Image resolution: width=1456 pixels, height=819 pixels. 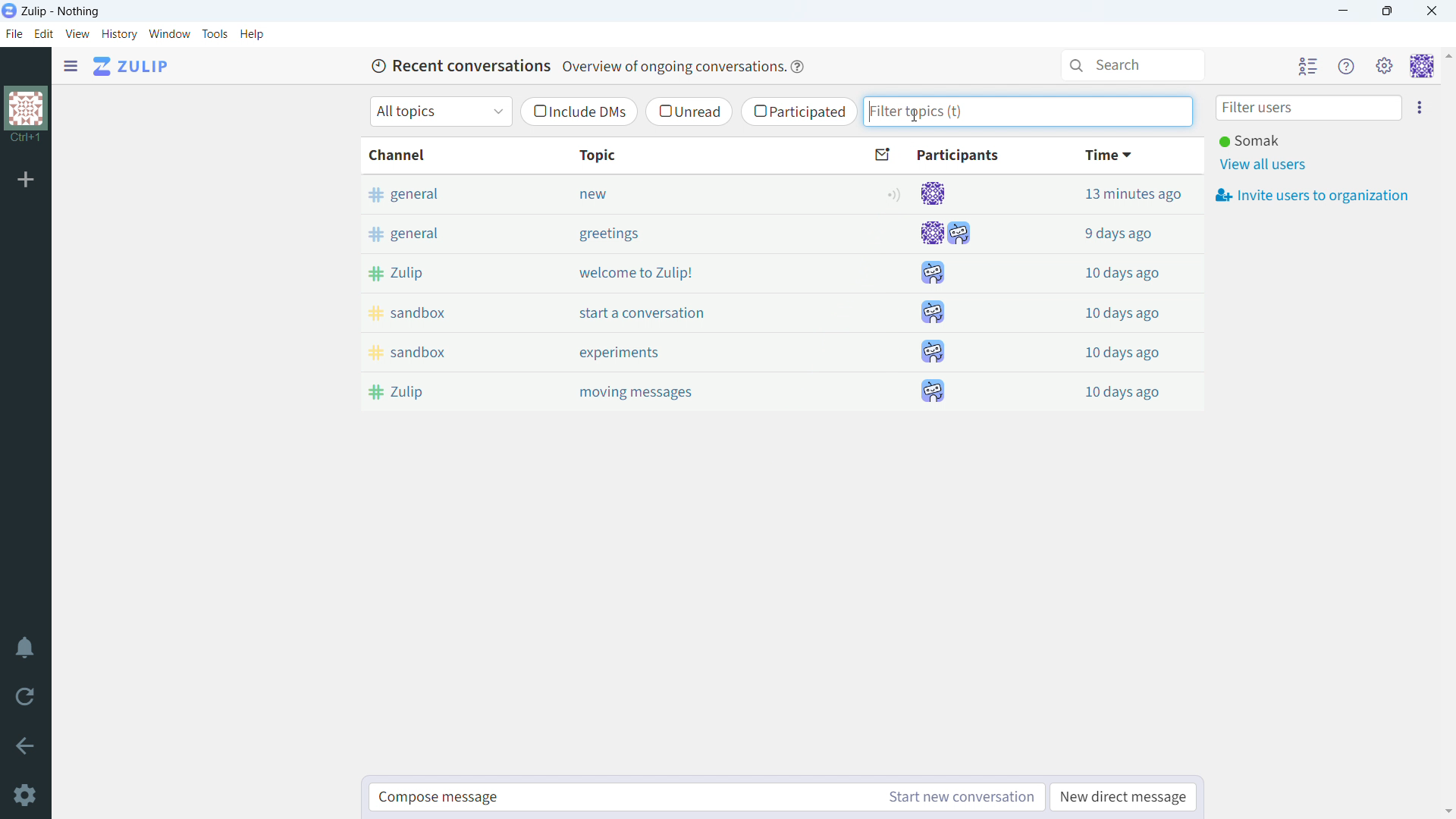 I want to click on search, so click(x=1135, y=65).